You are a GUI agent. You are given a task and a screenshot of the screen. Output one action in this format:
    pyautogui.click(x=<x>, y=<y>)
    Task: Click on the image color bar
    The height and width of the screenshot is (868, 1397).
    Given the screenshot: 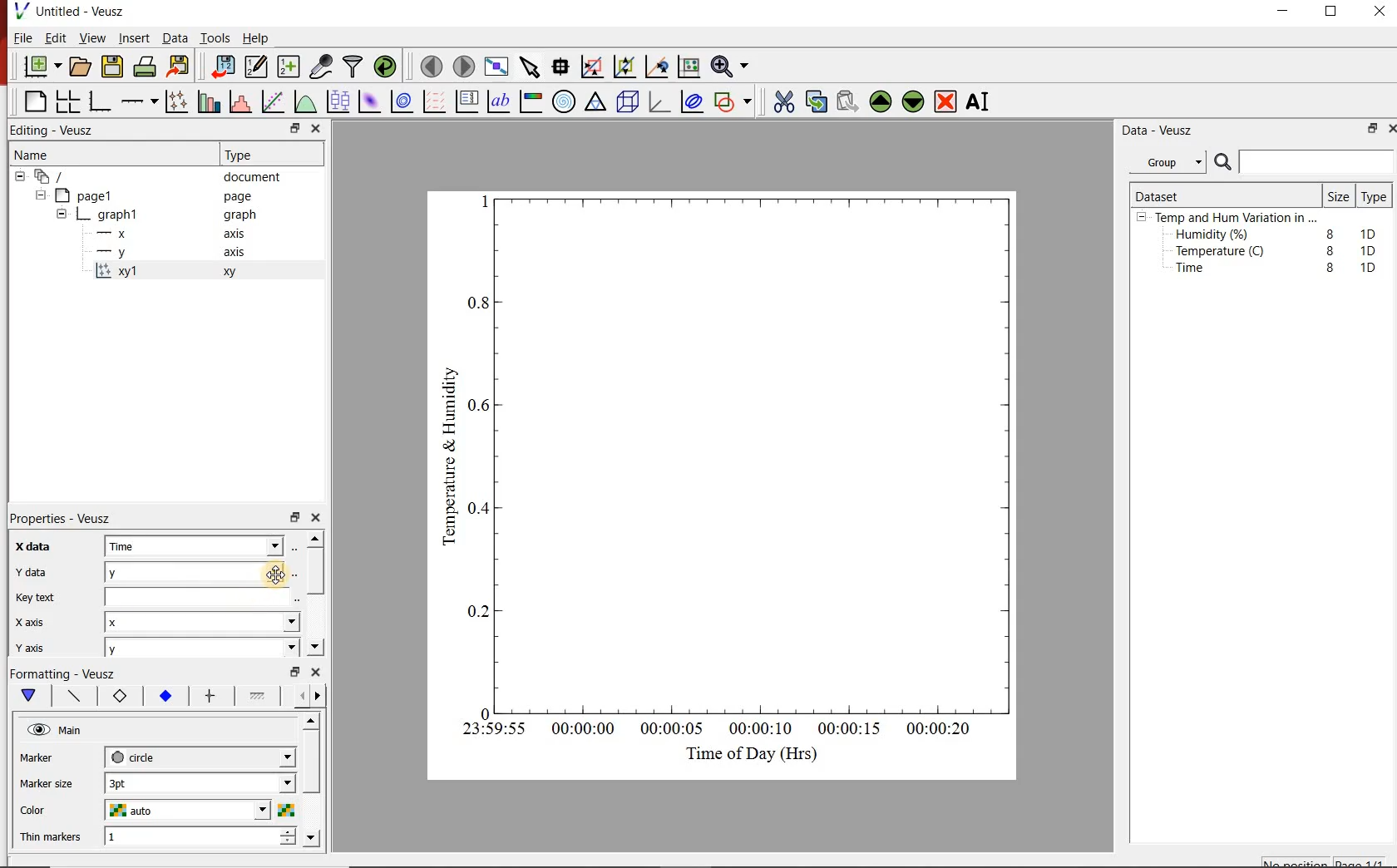 What is the action you would take?
    pyautogui.click(x=534, y=101)
    